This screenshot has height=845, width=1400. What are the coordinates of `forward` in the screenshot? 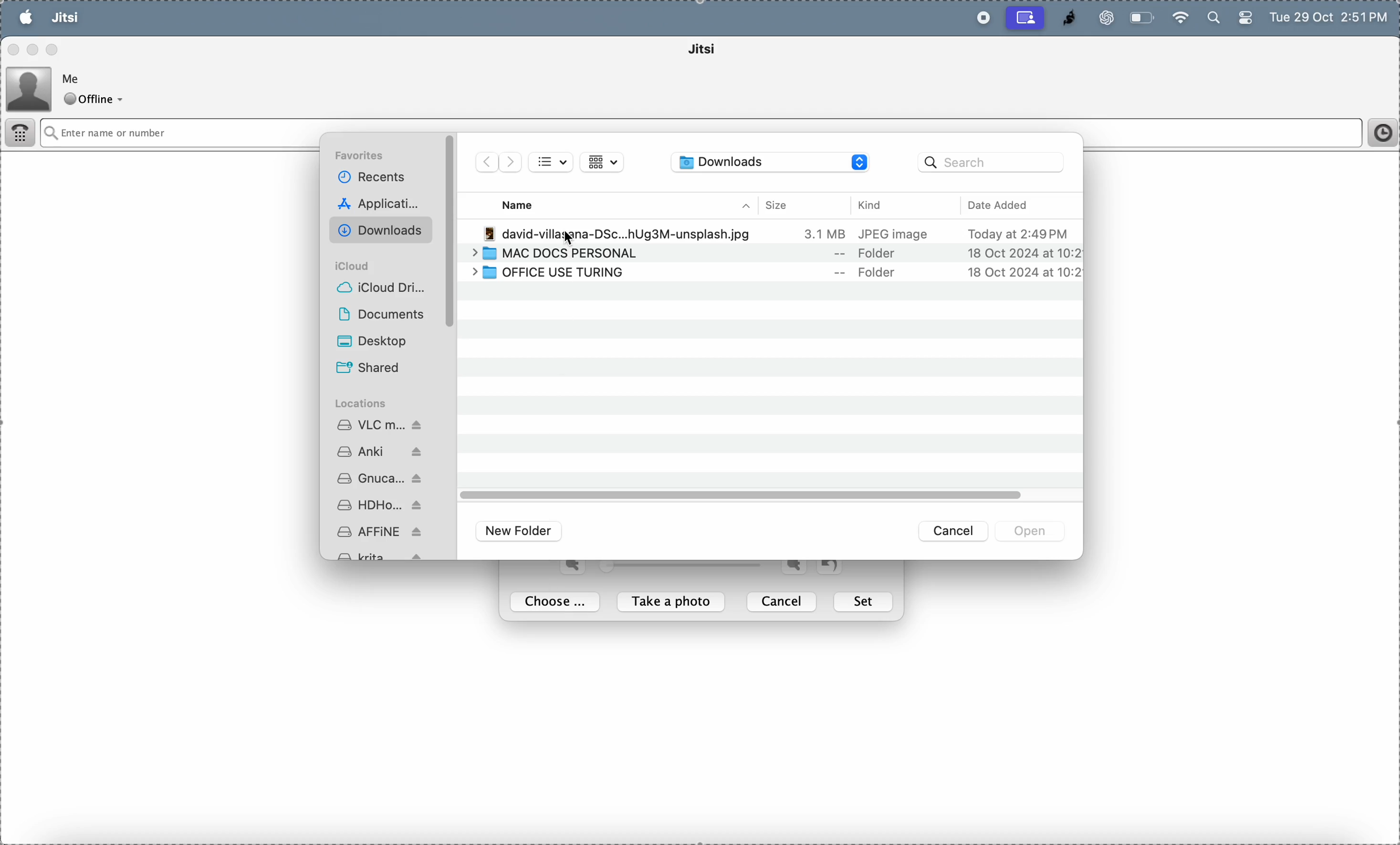 It's located at (486, 162).